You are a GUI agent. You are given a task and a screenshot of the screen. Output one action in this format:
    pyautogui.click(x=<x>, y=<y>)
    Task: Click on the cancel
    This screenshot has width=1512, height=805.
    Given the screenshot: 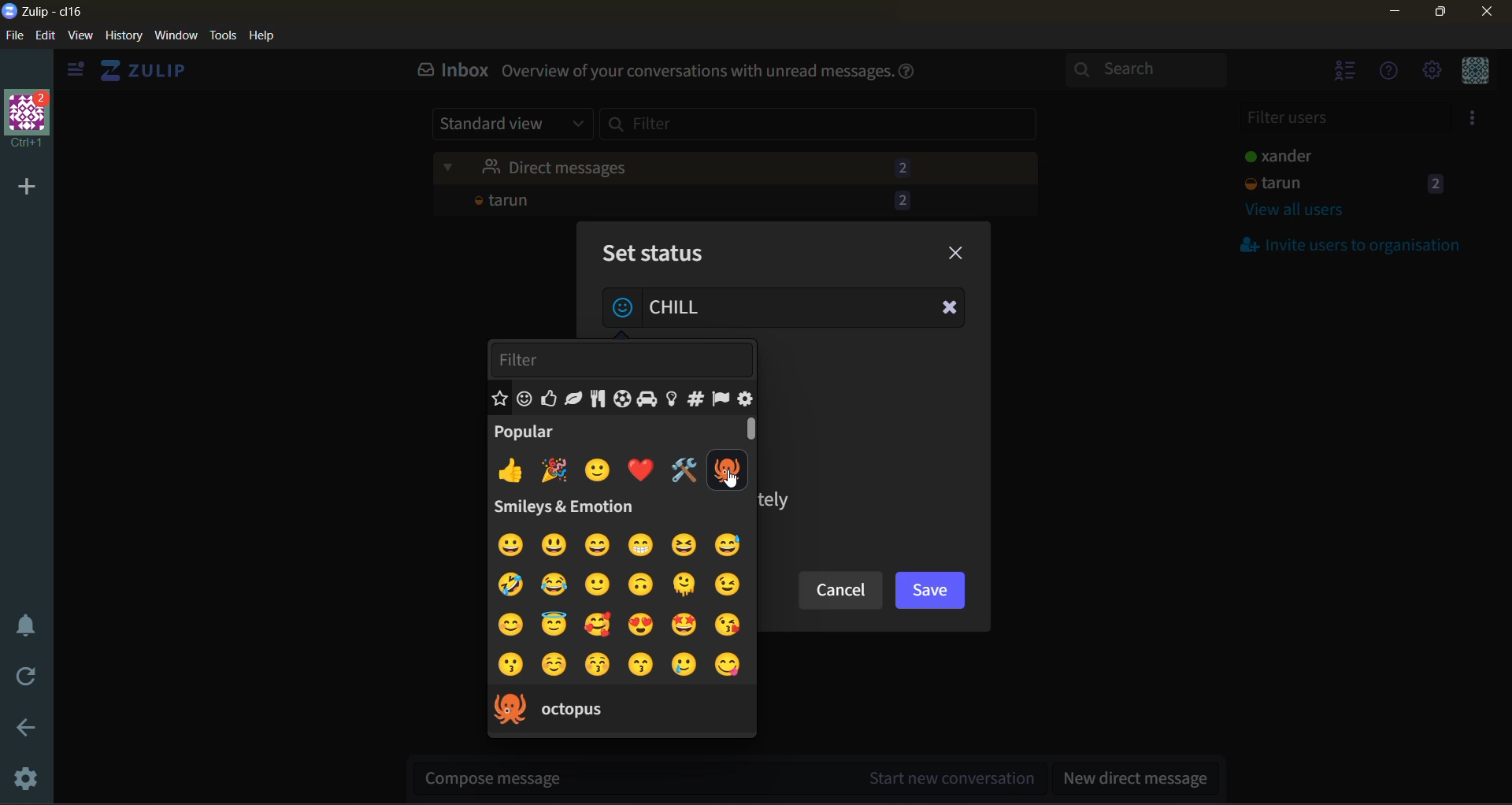 What is the action you would take?
    pyautogui.click(x=840, y=594)
    